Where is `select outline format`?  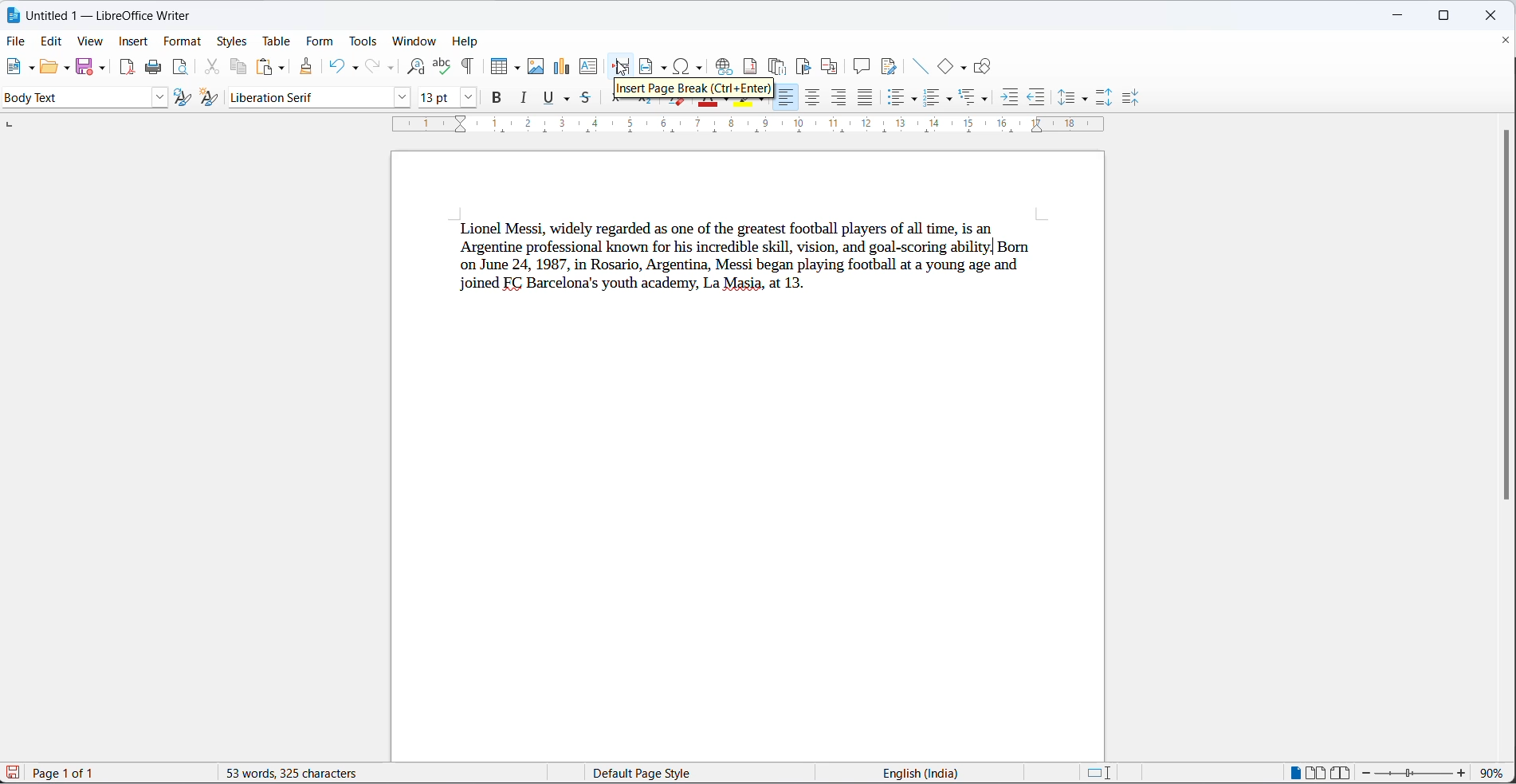 select outline format is located at coordinates (978, 98).